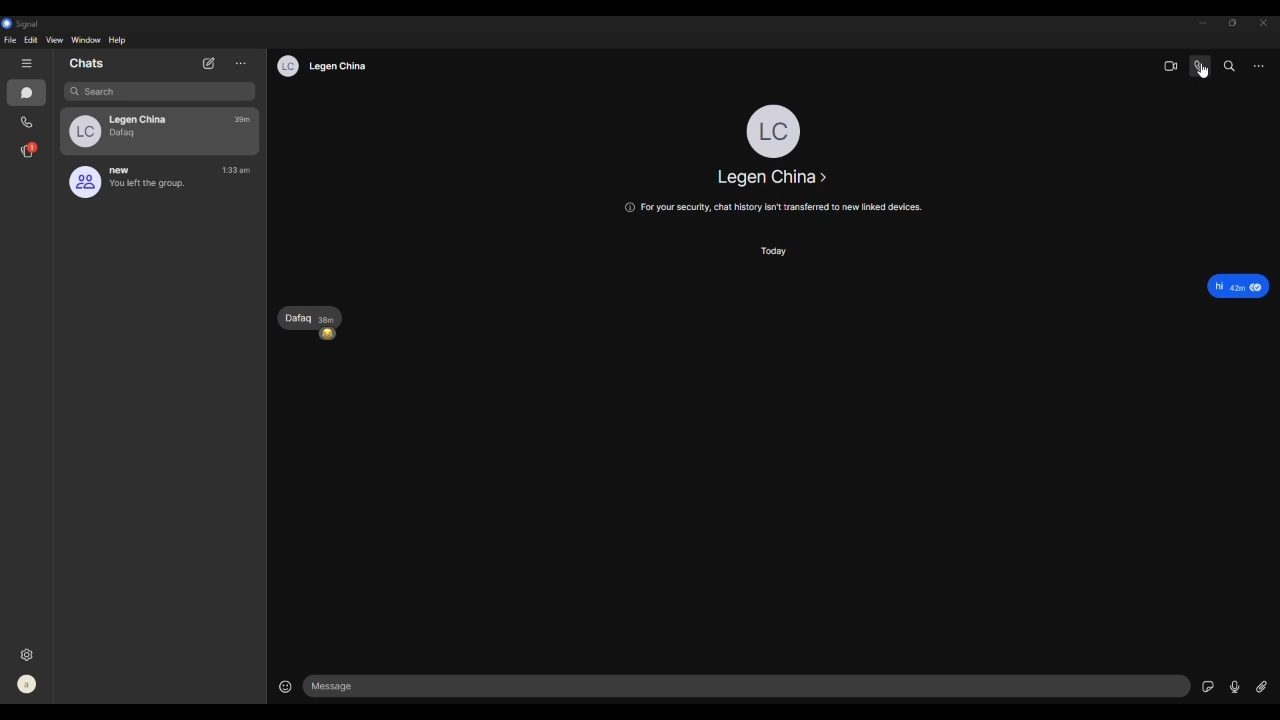  Describe the element at coordinates (744, 686) in the screenshot. I see `type message` at that location.